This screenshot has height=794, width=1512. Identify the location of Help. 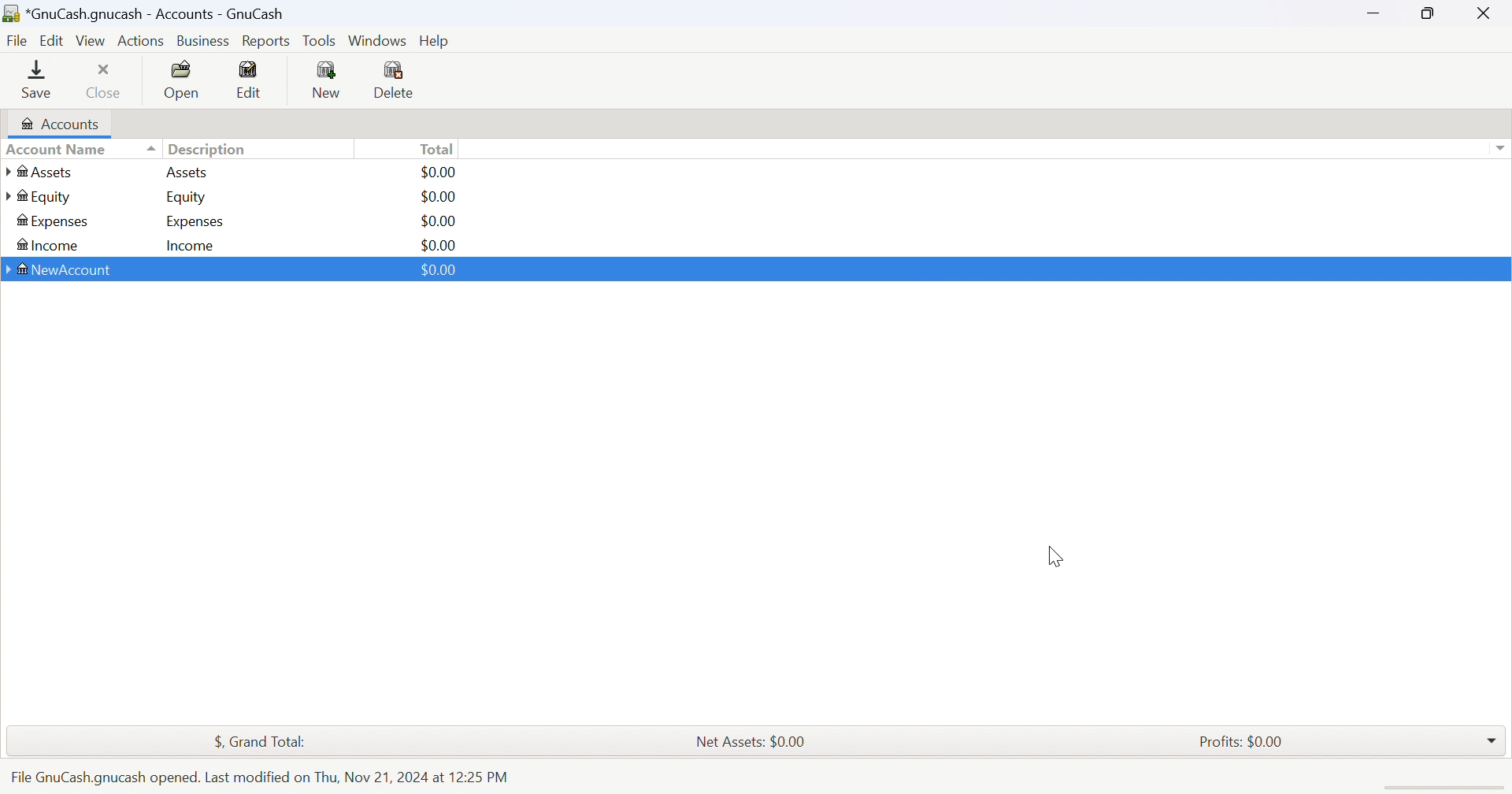
(439, 41).